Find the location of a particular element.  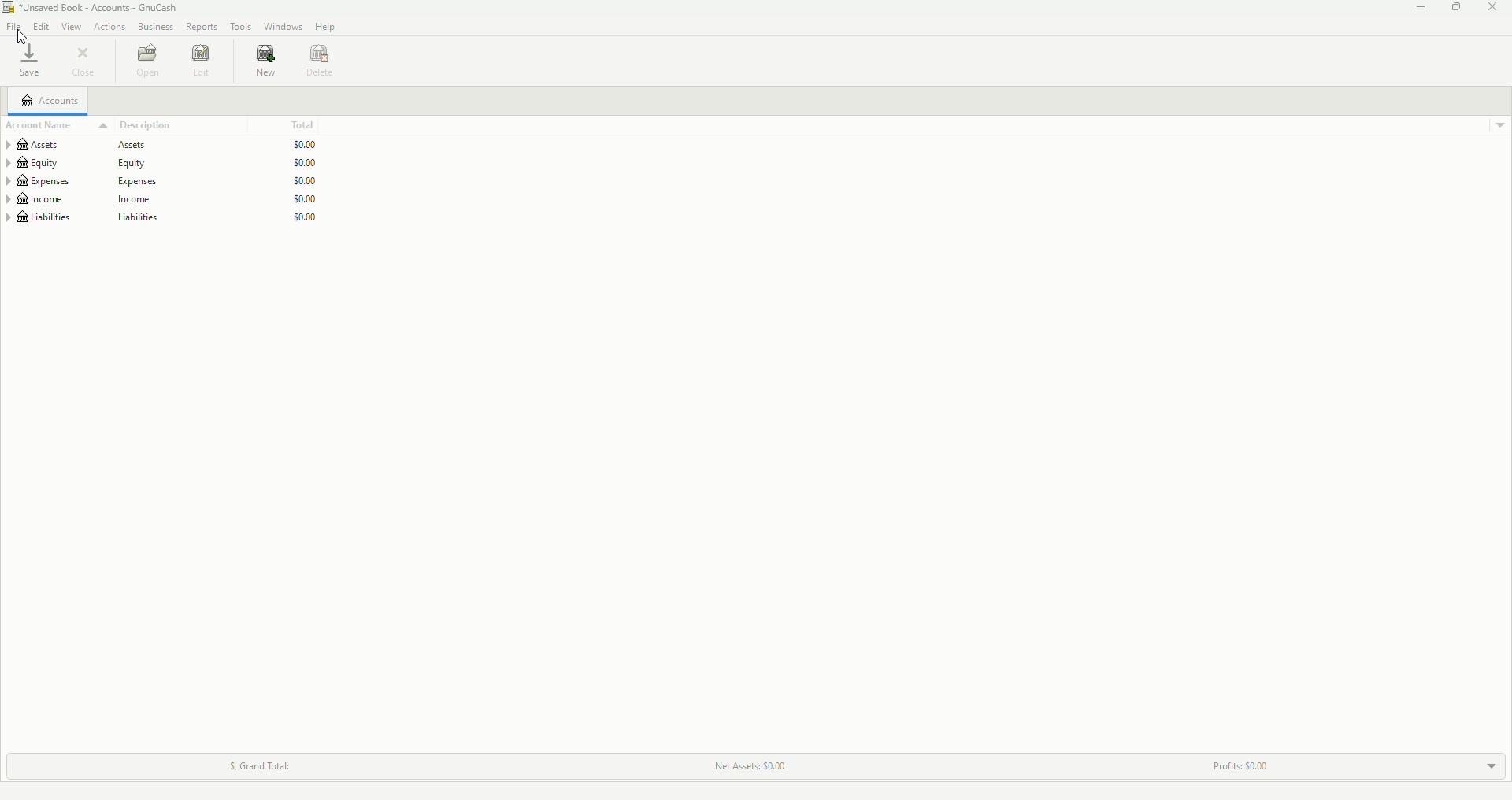

Edit is located at coordinates (40, 26).